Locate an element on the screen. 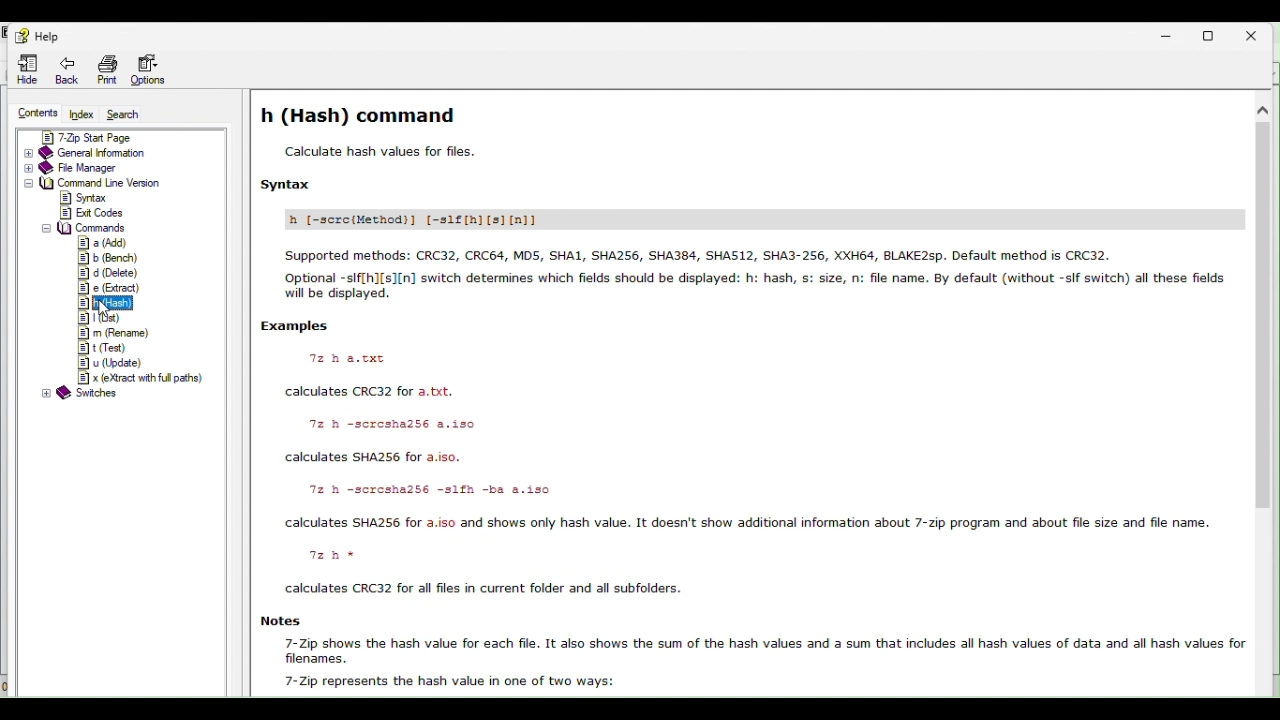 The image size is (1280, 720). content is located at coordinates (36, 111).